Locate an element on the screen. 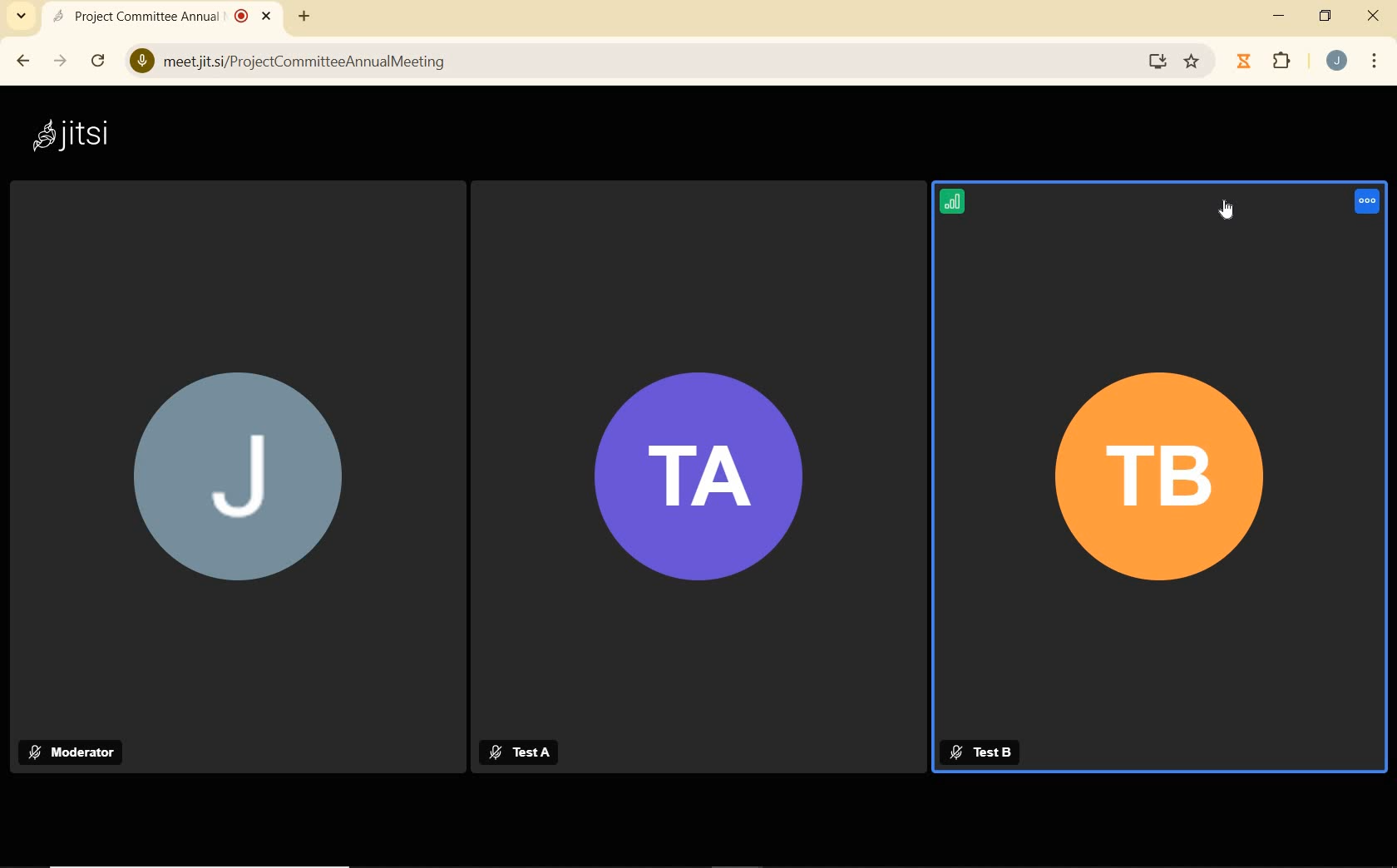  CUSTOMIZE GOOGLE CHROME is located at coordinates (1375, 62).